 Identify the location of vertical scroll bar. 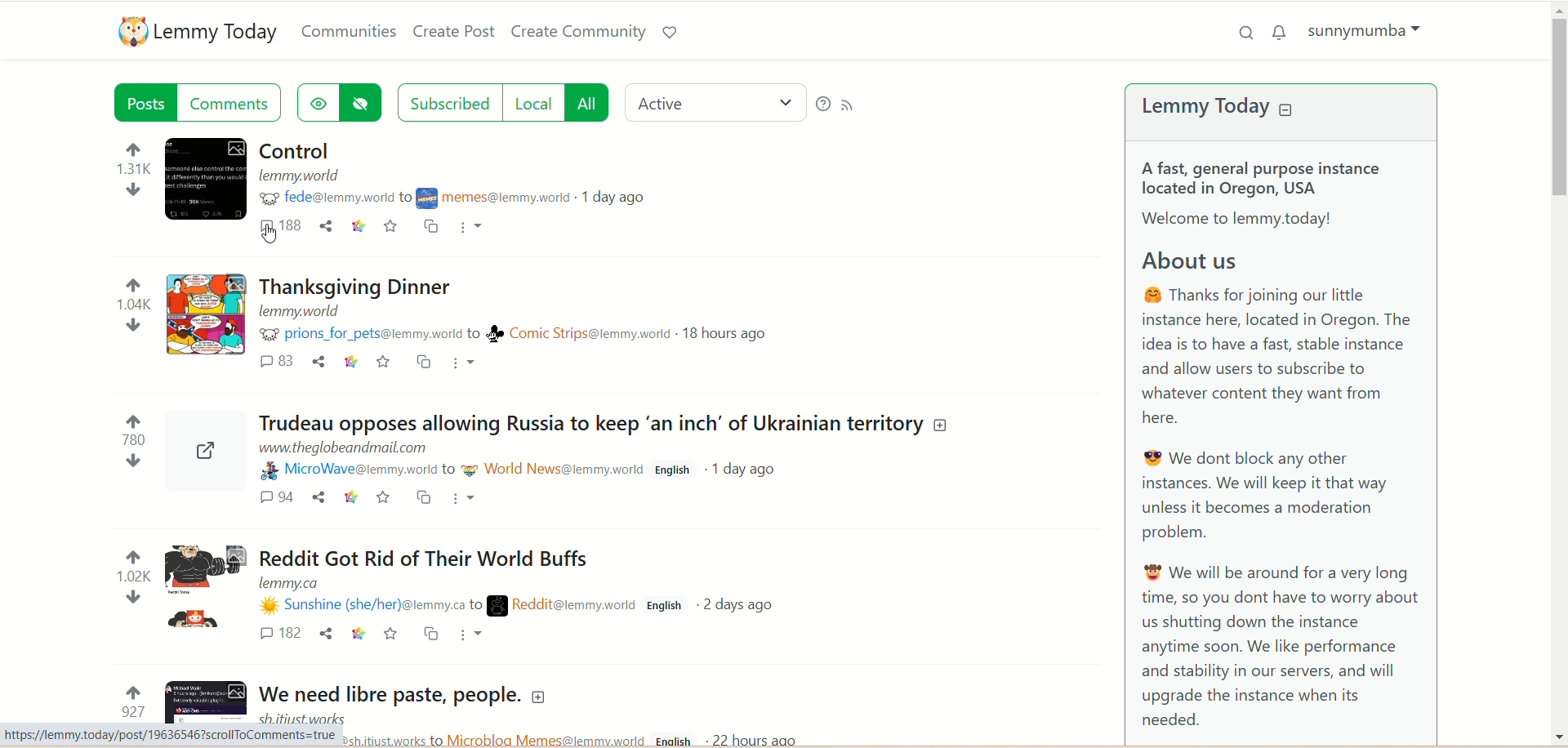
(1558, 370).